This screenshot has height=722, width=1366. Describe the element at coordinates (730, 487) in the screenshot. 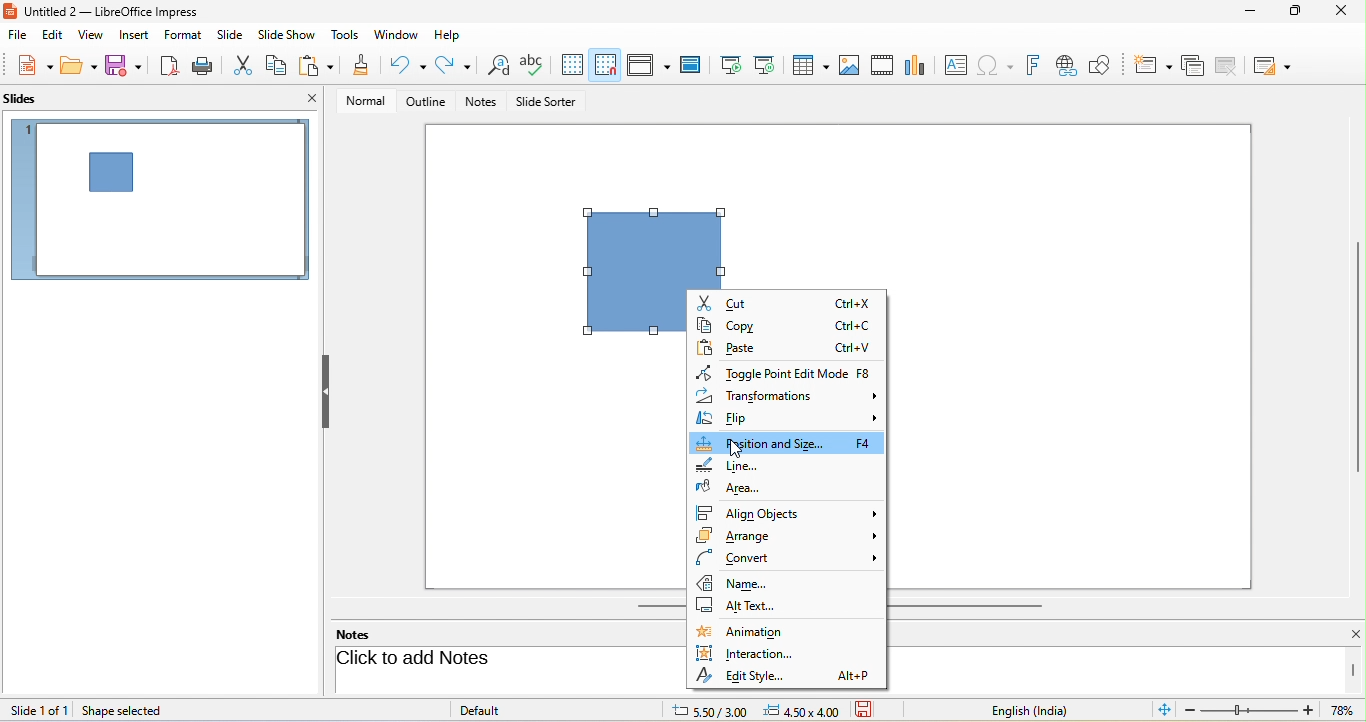

I see `area` at that location.